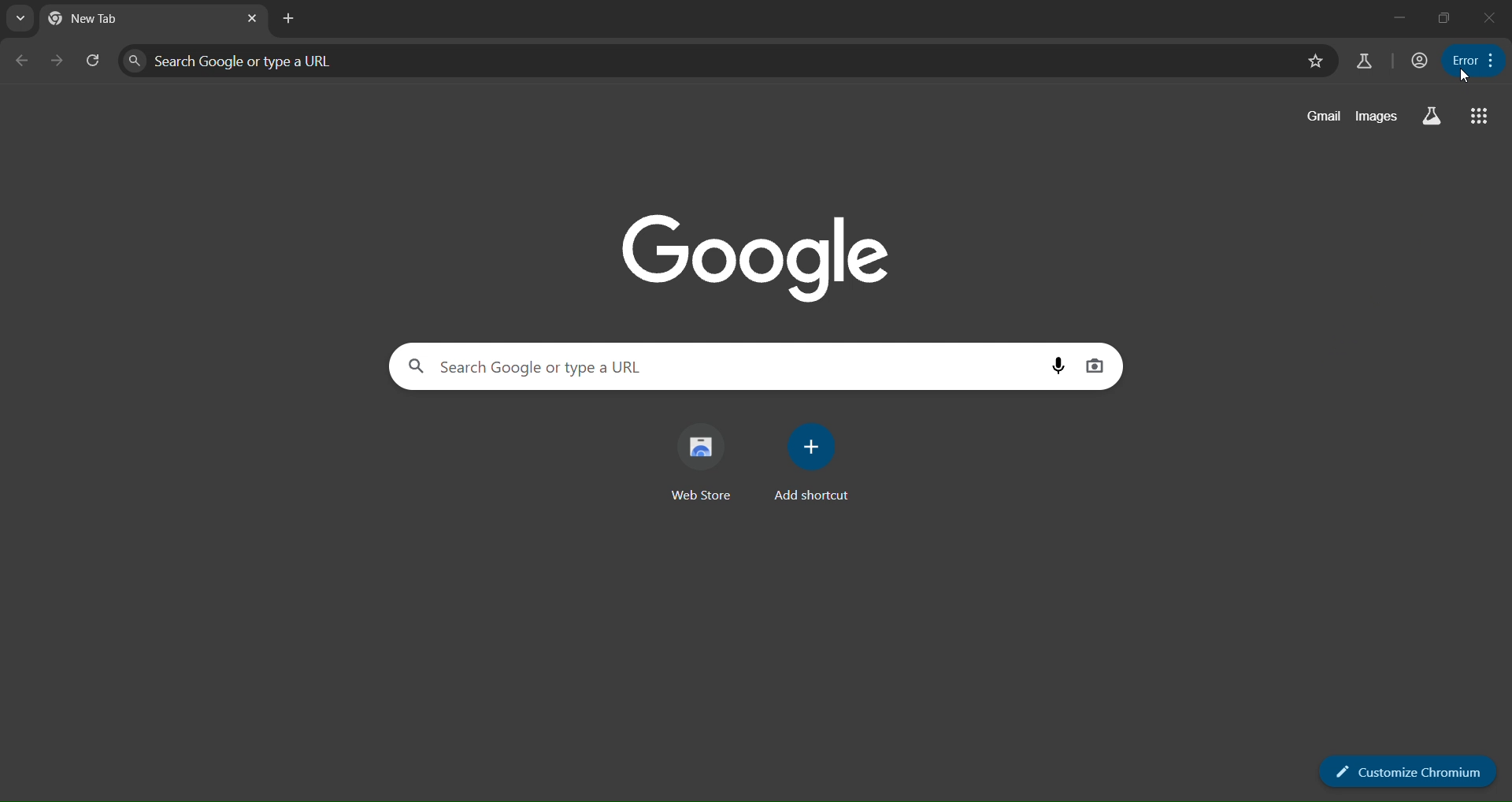  What do you see at coordinates (1444, 20) in the screenshot?
I see `restore down` at bounding box center [1444, 20].